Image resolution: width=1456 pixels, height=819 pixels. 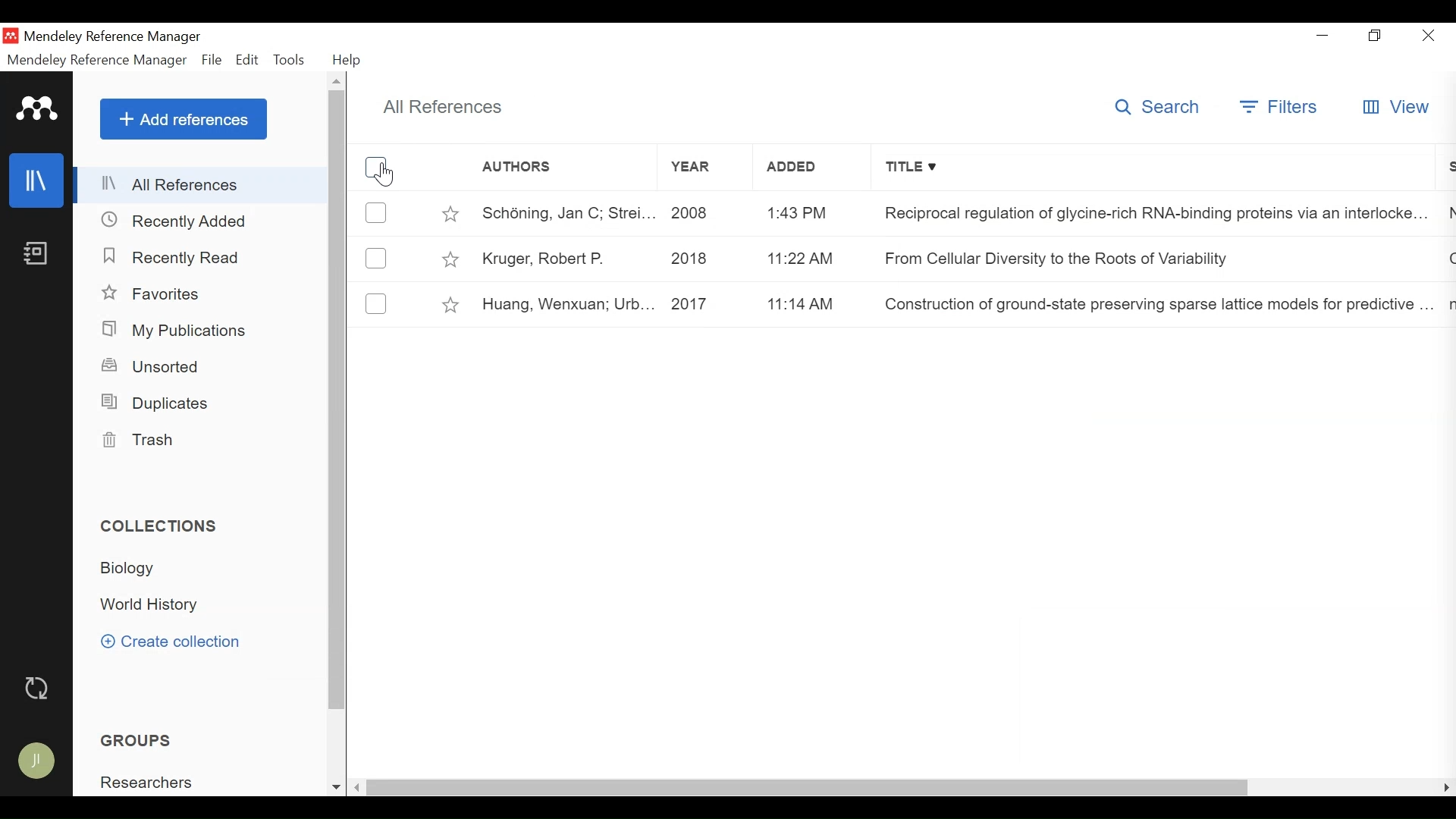 What do you see at coordinates (37, 763) in the screenshot?
I see `Avatar` at bounding box center [37, 763].